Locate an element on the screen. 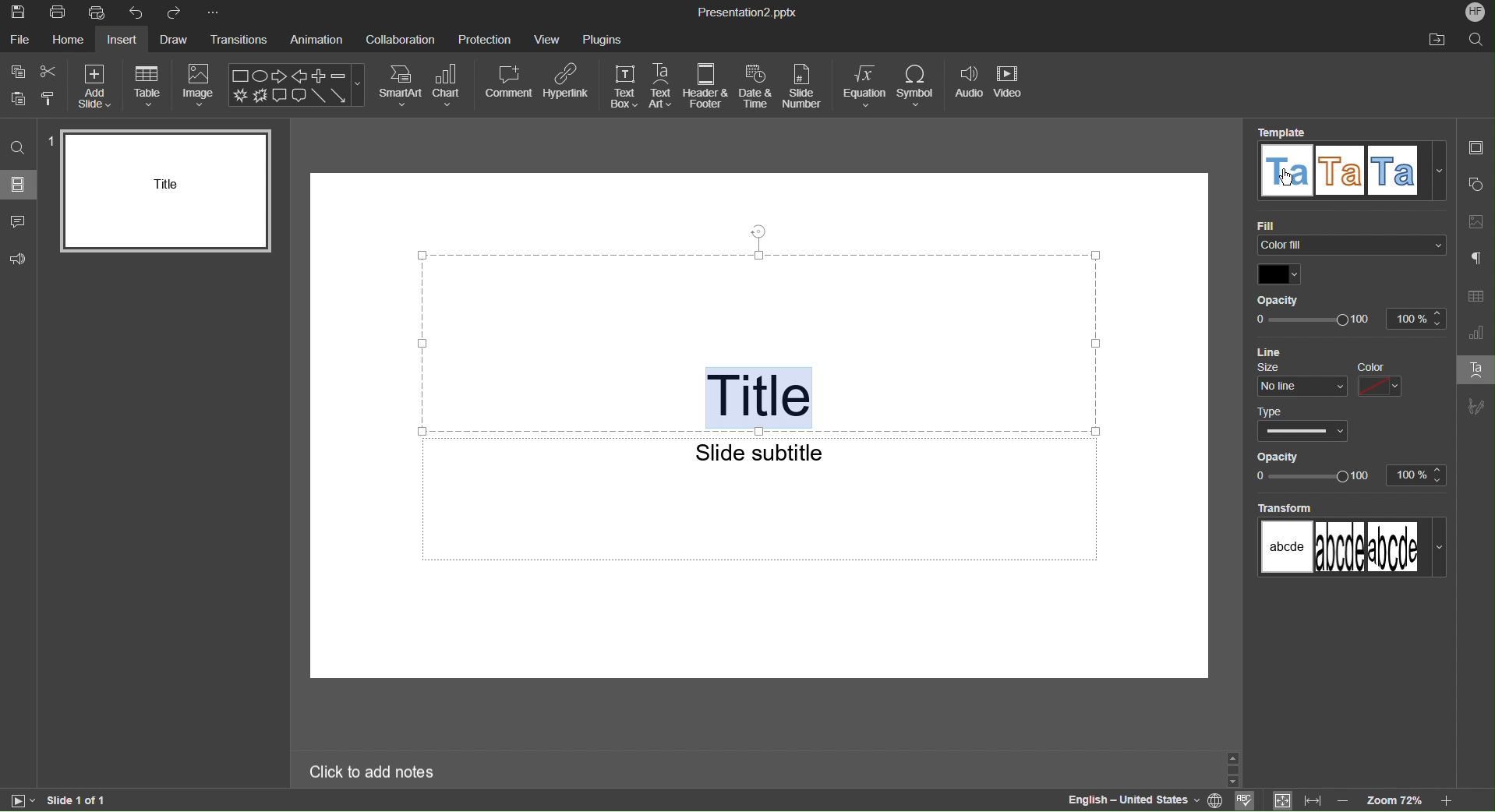  Search is located at coordinates (18, 148).